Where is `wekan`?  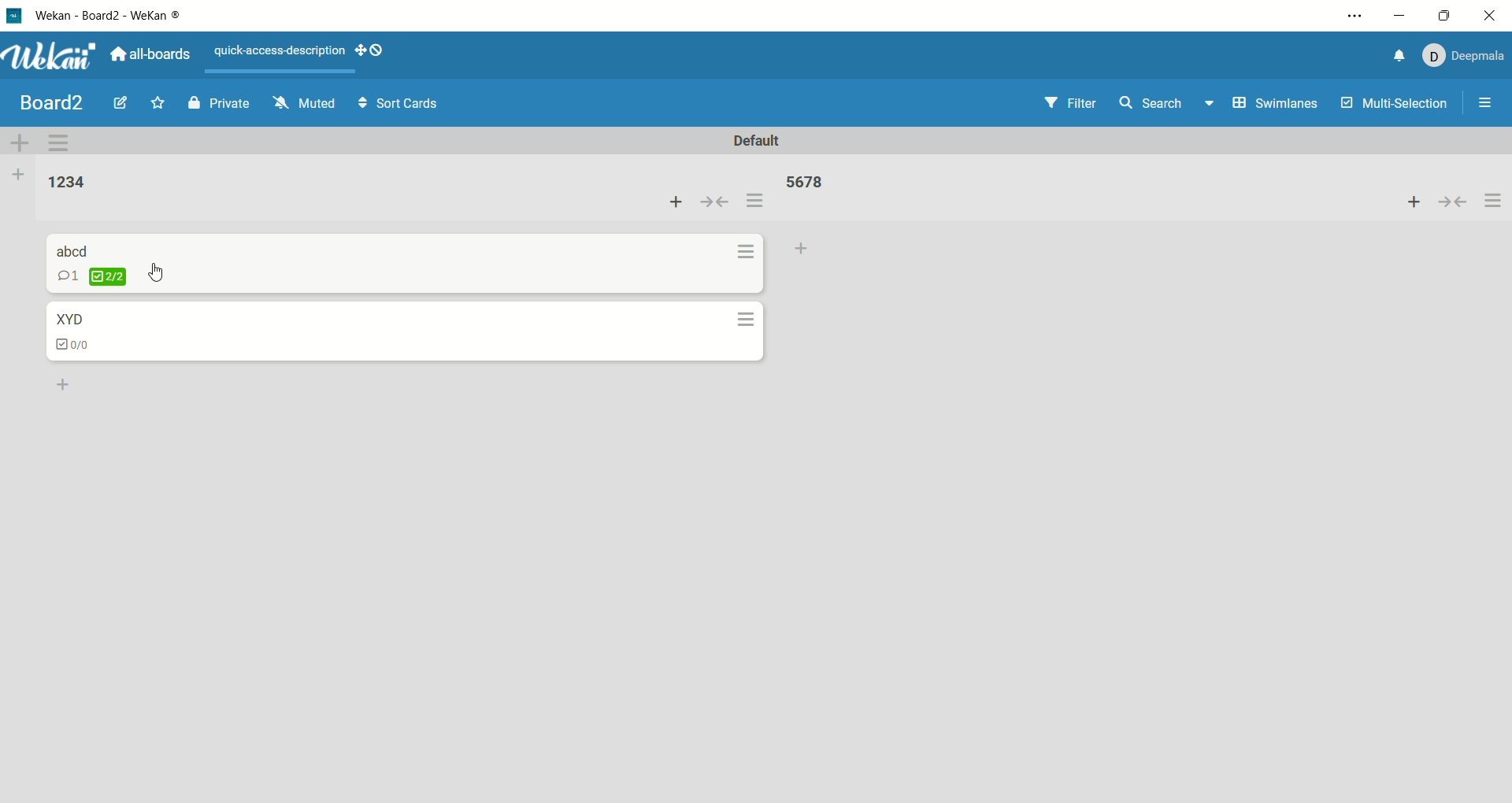
wekan is located at coordinates (53, 56).